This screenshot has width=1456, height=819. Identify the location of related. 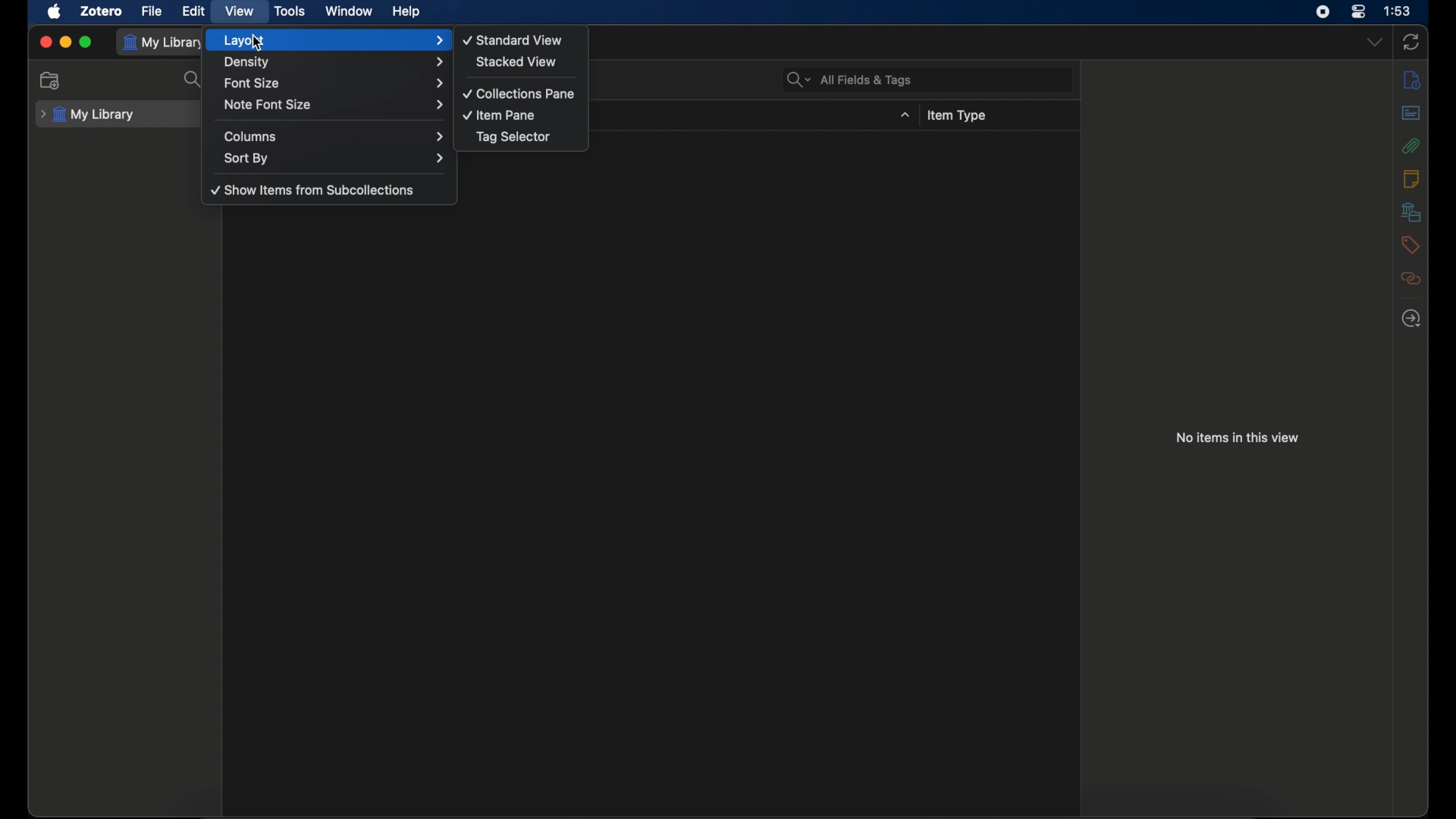
(1410, 278).